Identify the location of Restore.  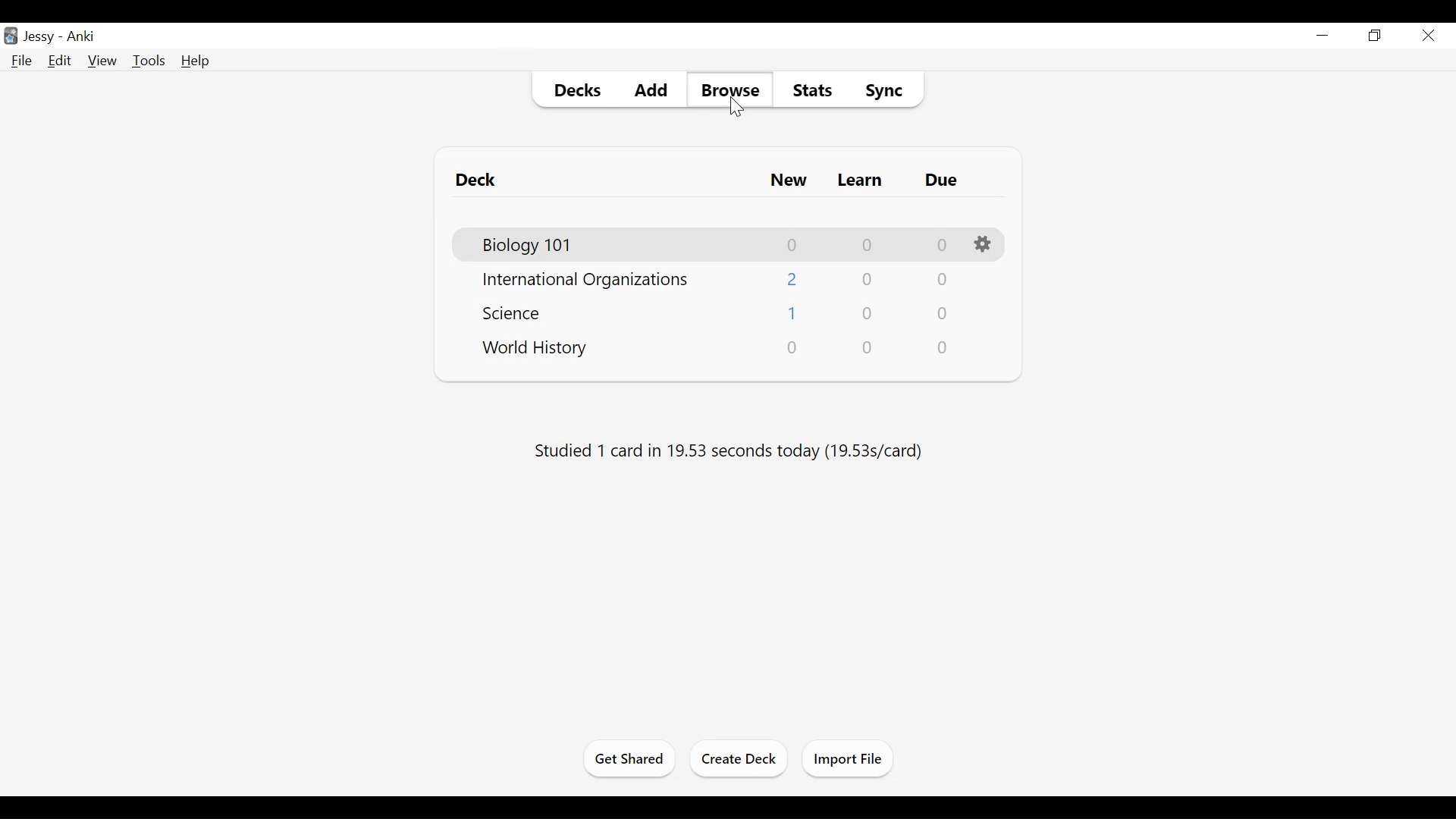
(1375, 35).